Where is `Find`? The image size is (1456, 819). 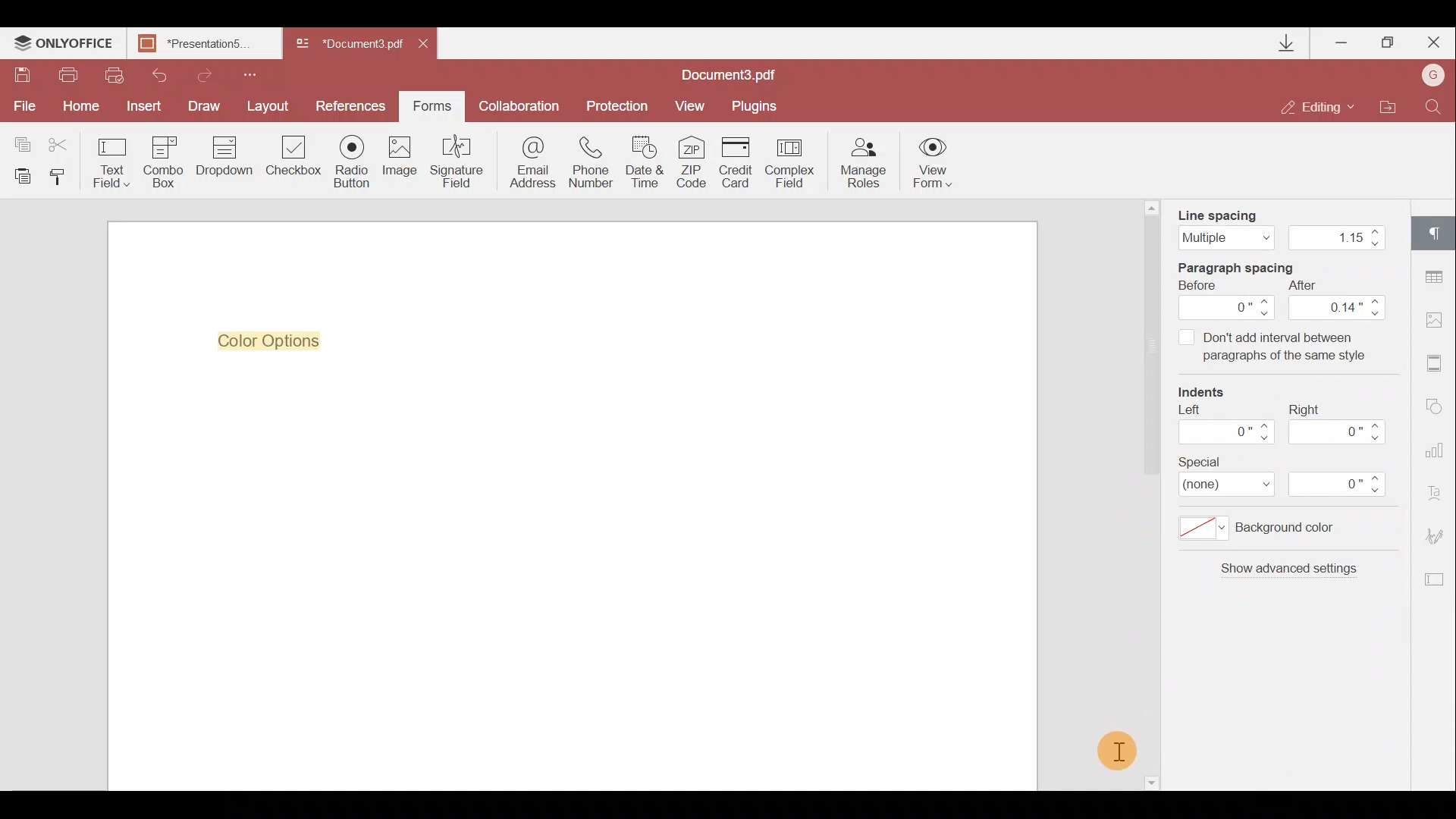
Find is located at coordinates (1436, 106).